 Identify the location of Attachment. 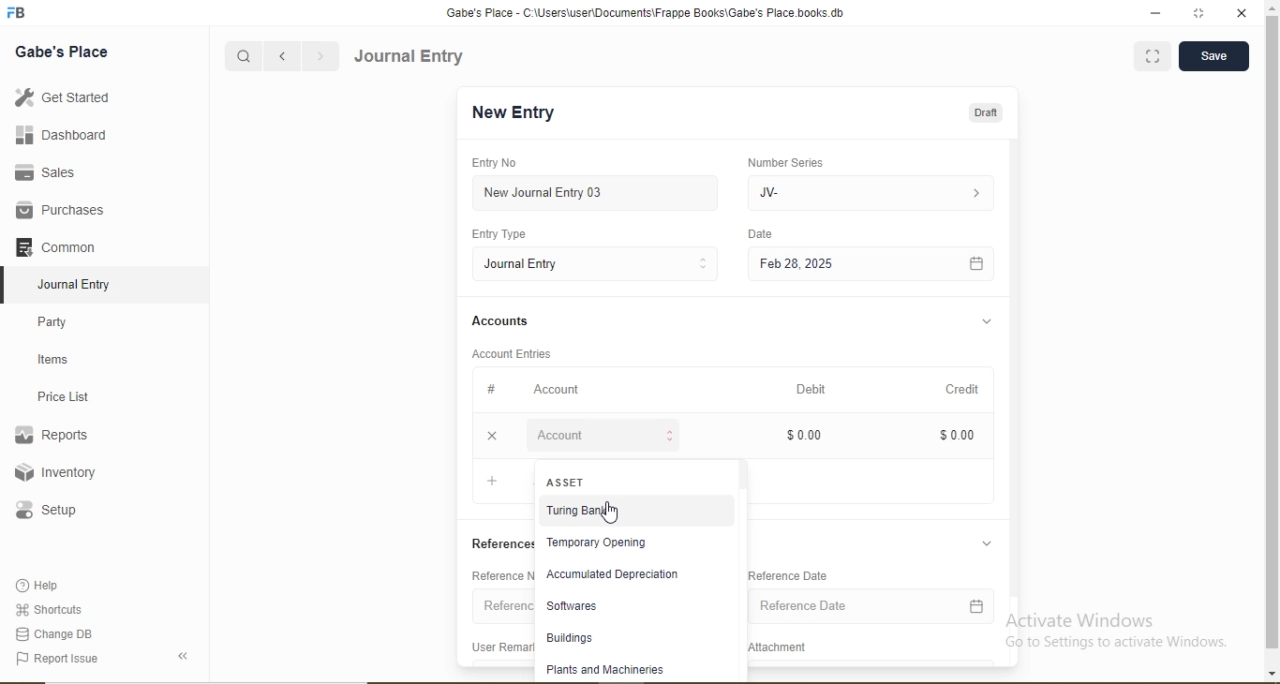
(780, 647).